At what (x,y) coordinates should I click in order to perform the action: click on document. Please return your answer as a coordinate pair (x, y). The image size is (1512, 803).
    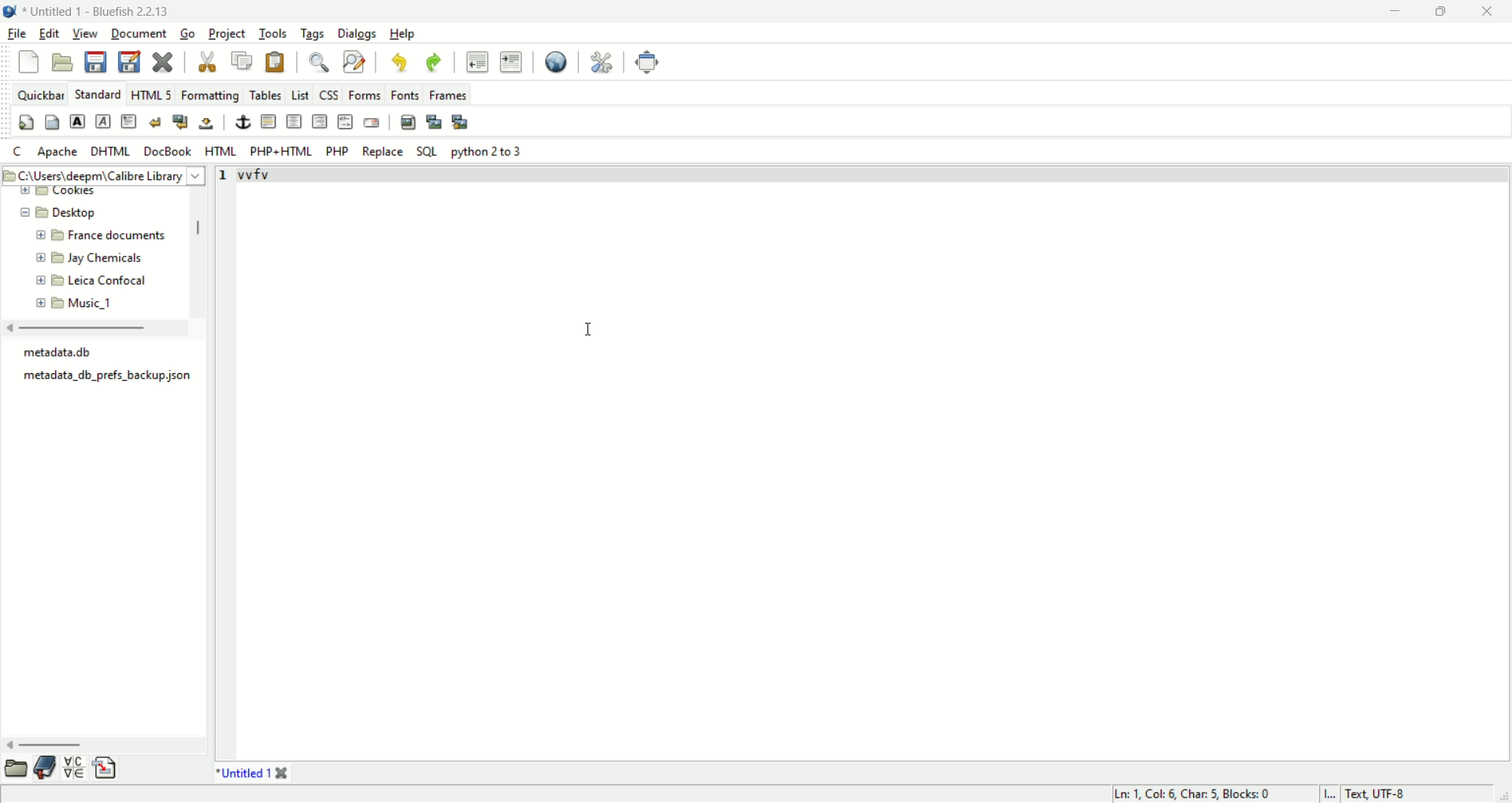
    Looking at the image, I should click on (137, 35).